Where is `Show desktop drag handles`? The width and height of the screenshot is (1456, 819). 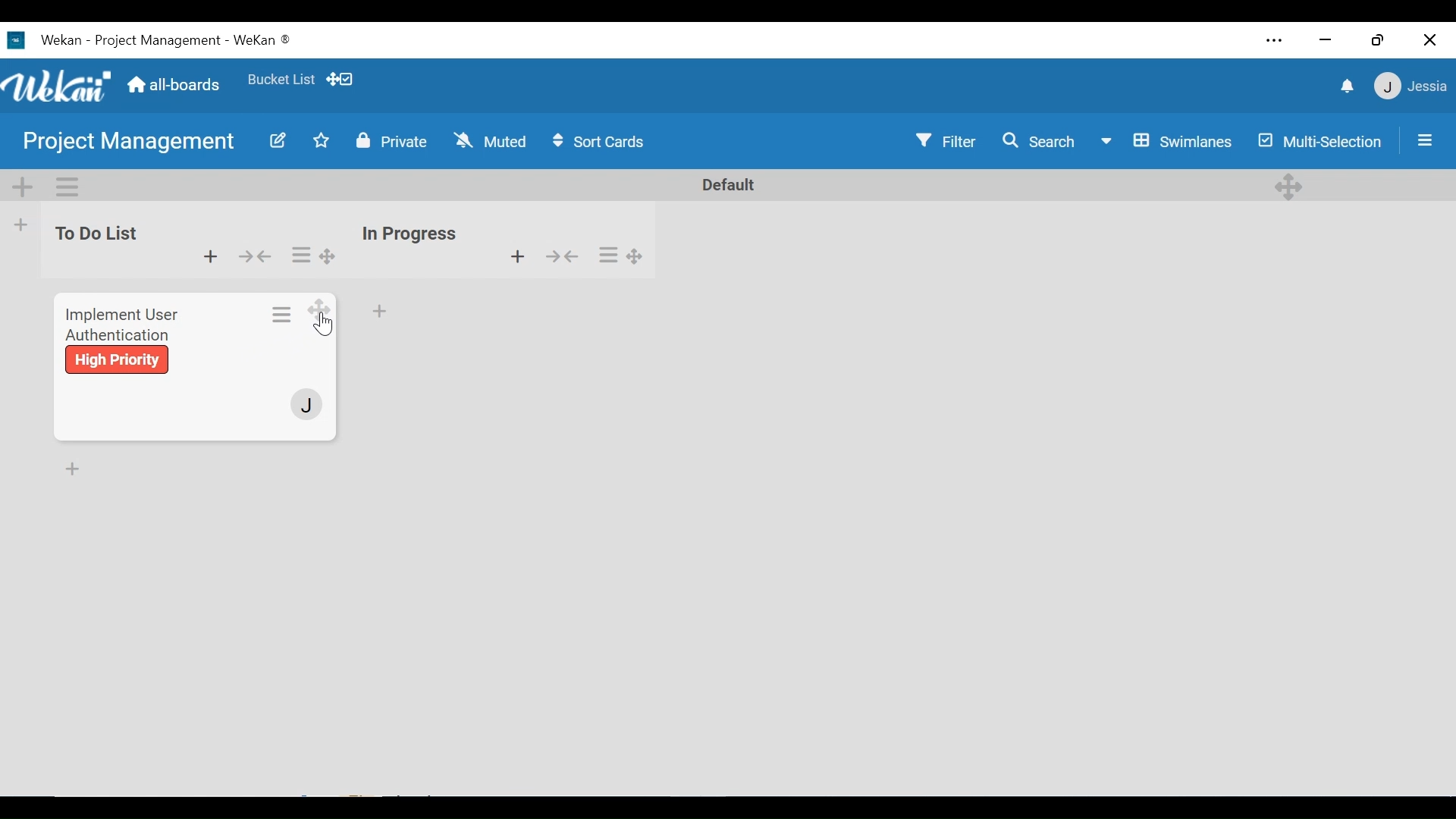
Show desktop drag handles is located at coordinates (344, 80).